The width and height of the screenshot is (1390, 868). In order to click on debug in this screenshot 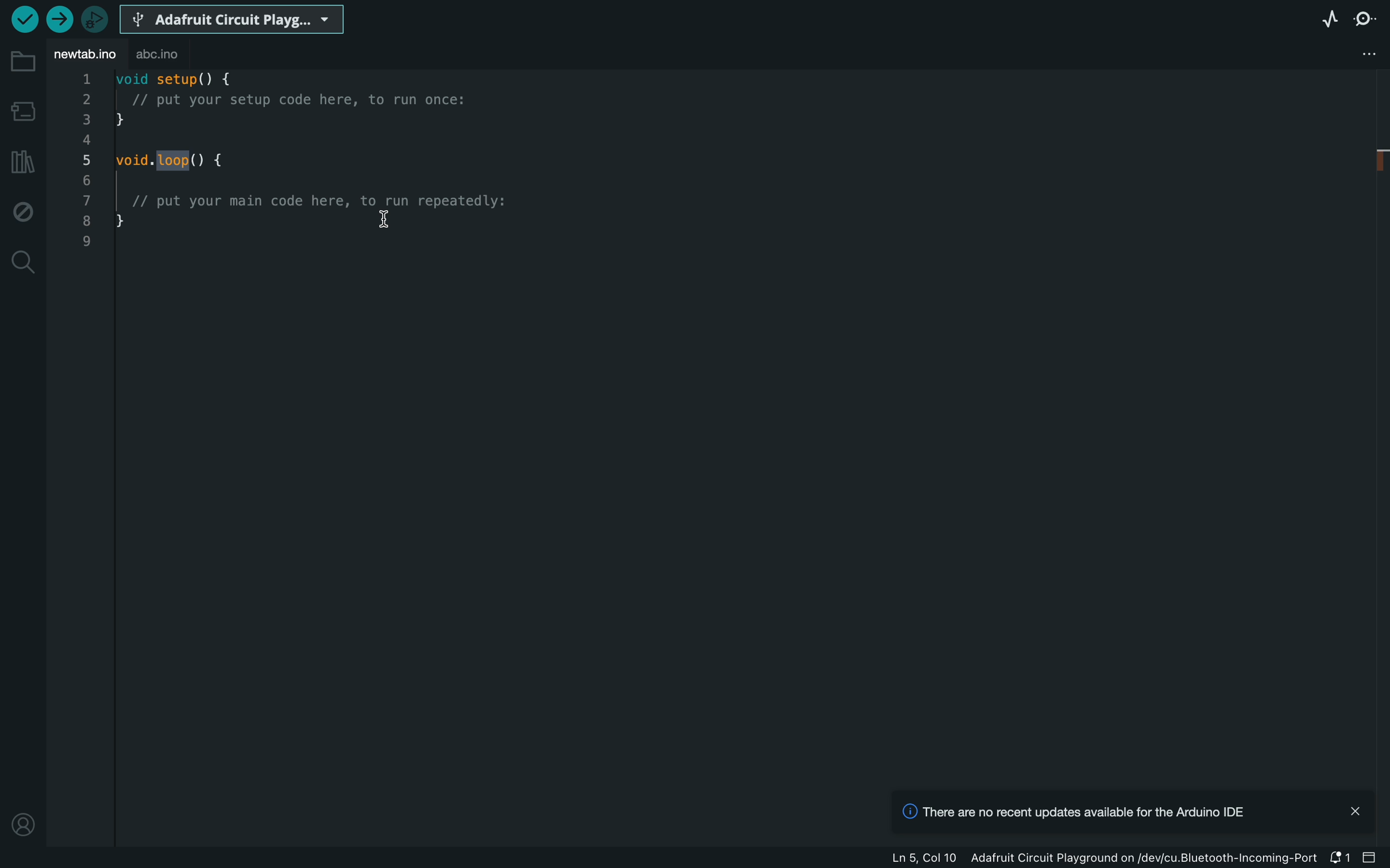, I will do `click(23, 210)`.